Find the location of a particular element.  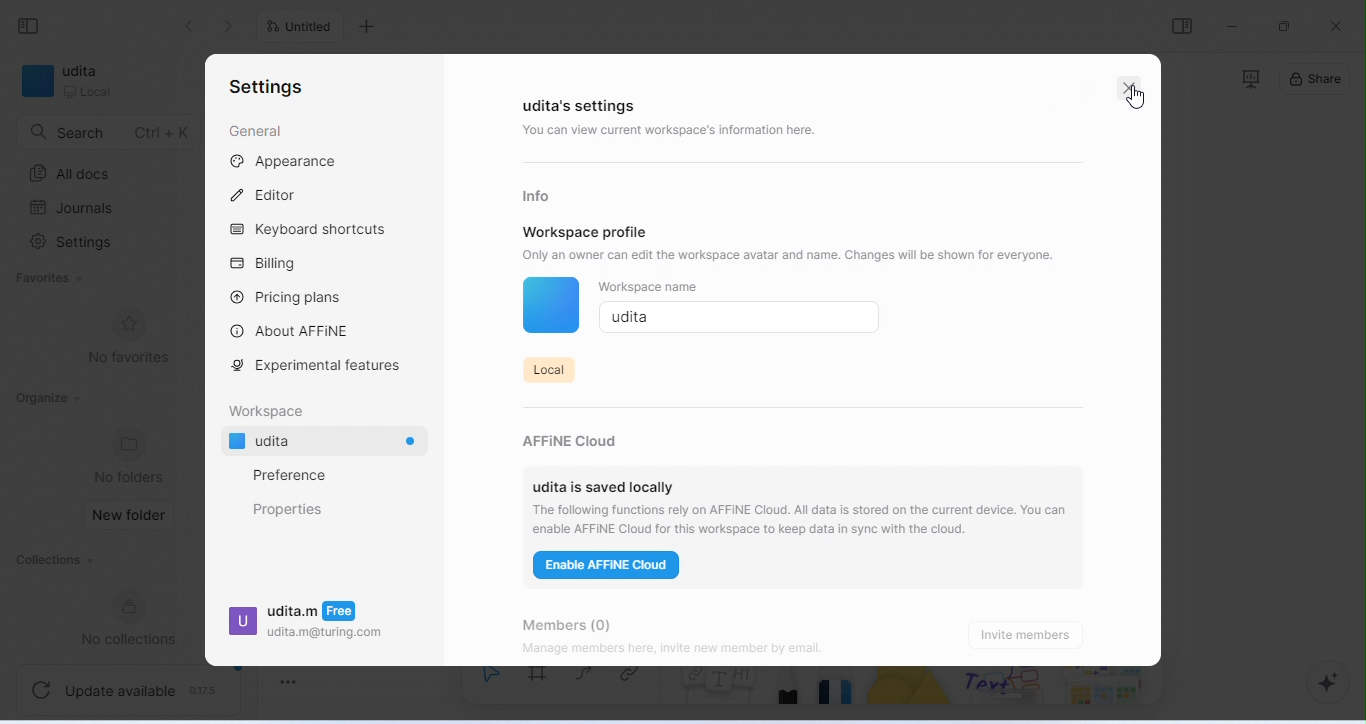

curve is located at coordinates (589, 681).